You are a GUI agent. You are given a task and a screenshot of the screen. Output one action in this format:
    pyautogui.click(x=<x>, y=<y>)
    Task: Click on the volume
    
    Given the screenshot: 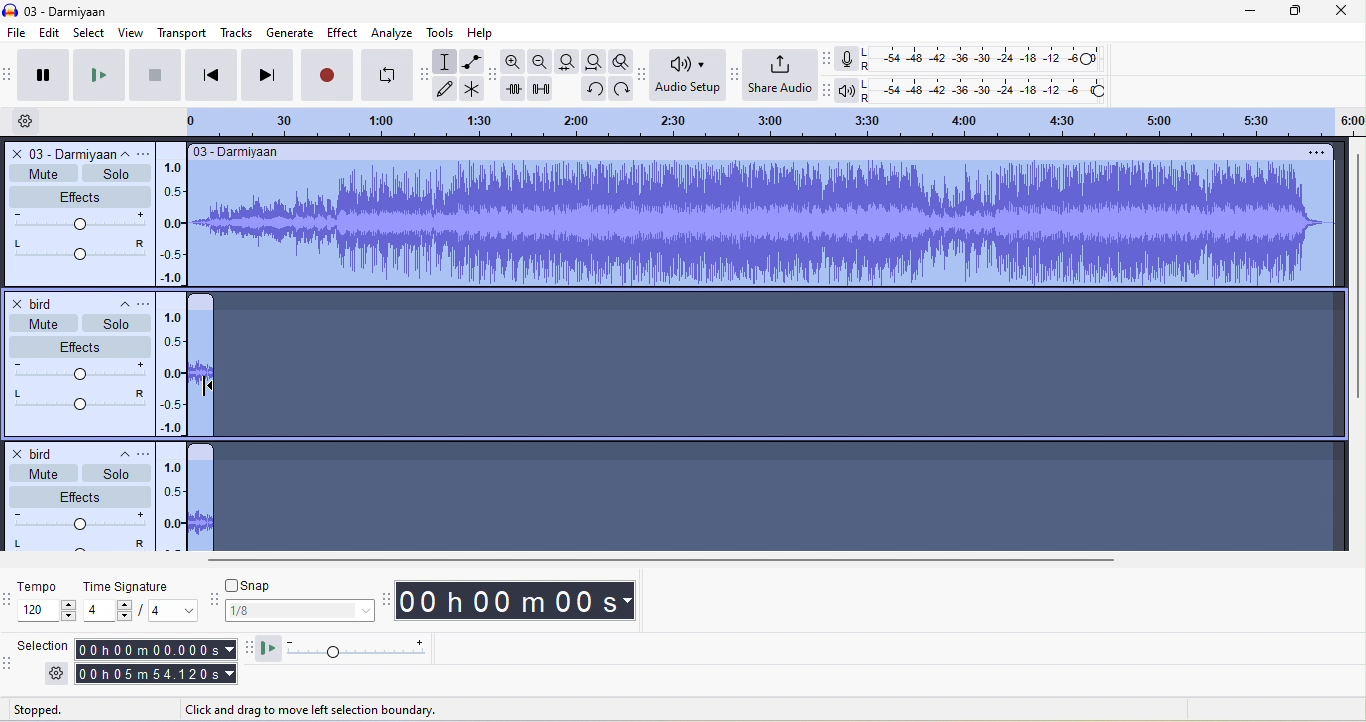 What is the action you would take?
    pyautogui.click(x=78, y=372)
    